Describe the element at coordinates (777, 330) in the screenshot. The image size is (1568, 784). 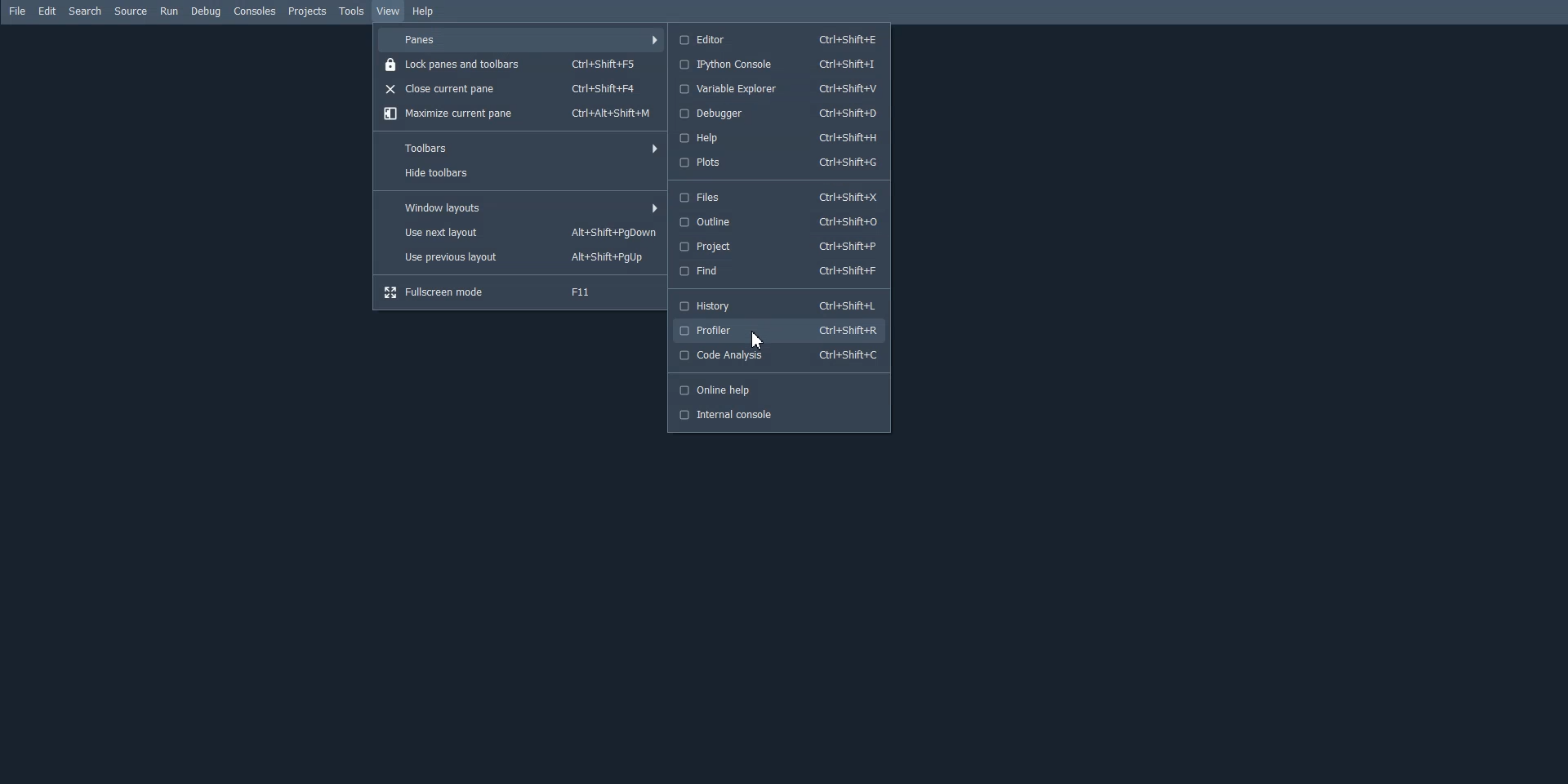
I see `Profiler` at that location.